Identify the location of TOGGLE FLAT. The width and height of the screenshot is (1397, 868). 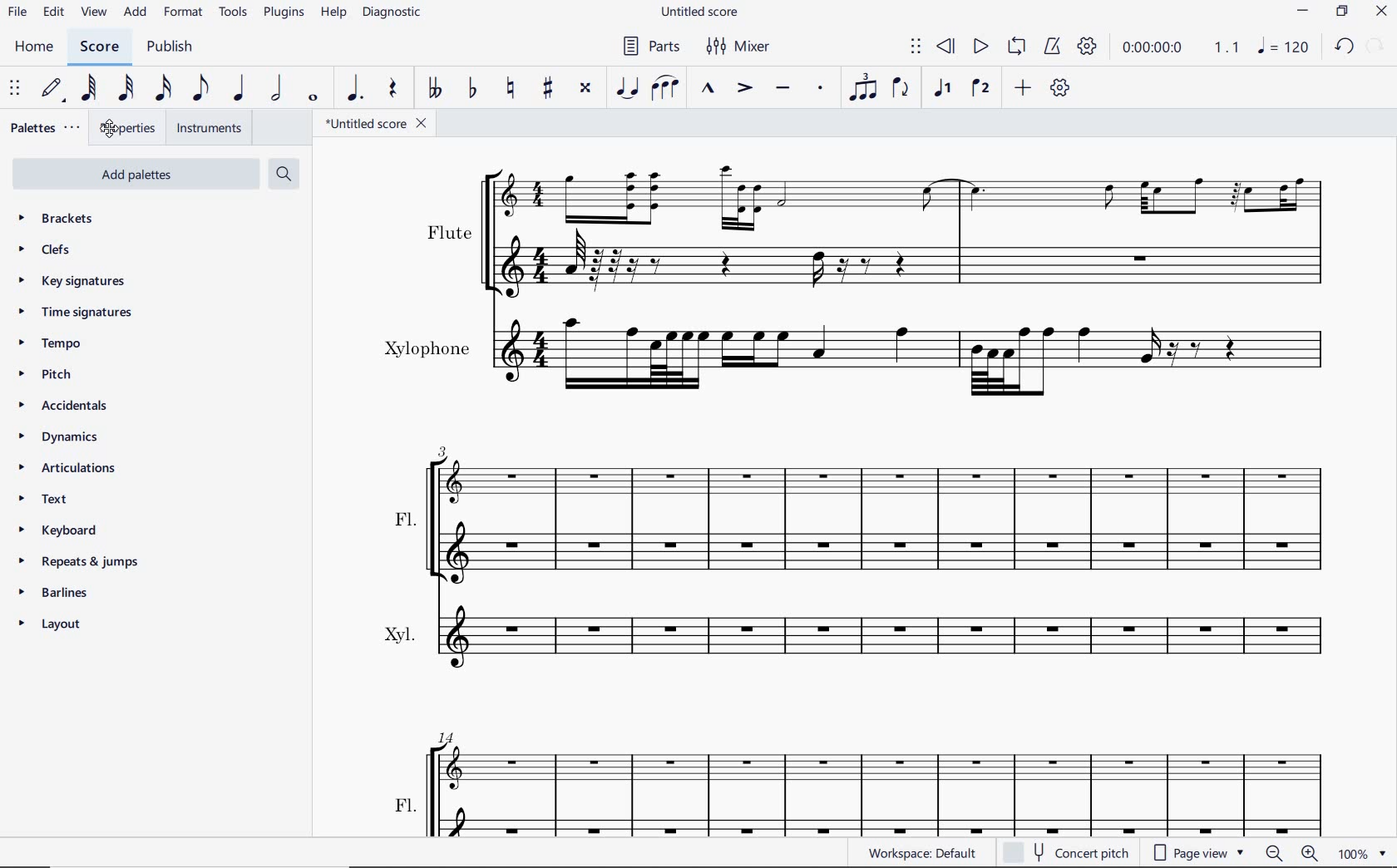
(473, 89).